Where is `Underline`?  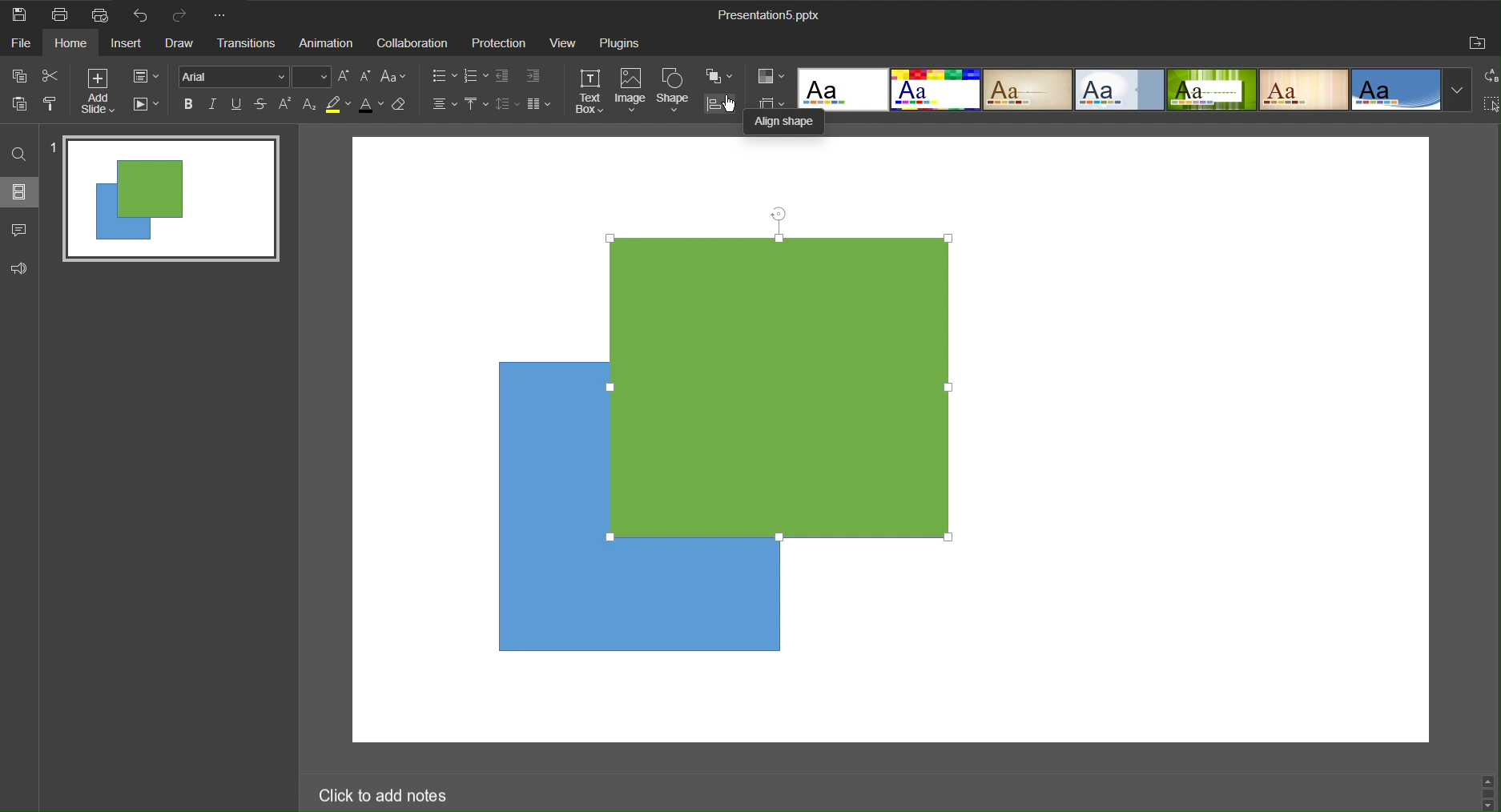
Underline is located at coordinates (238, 103).